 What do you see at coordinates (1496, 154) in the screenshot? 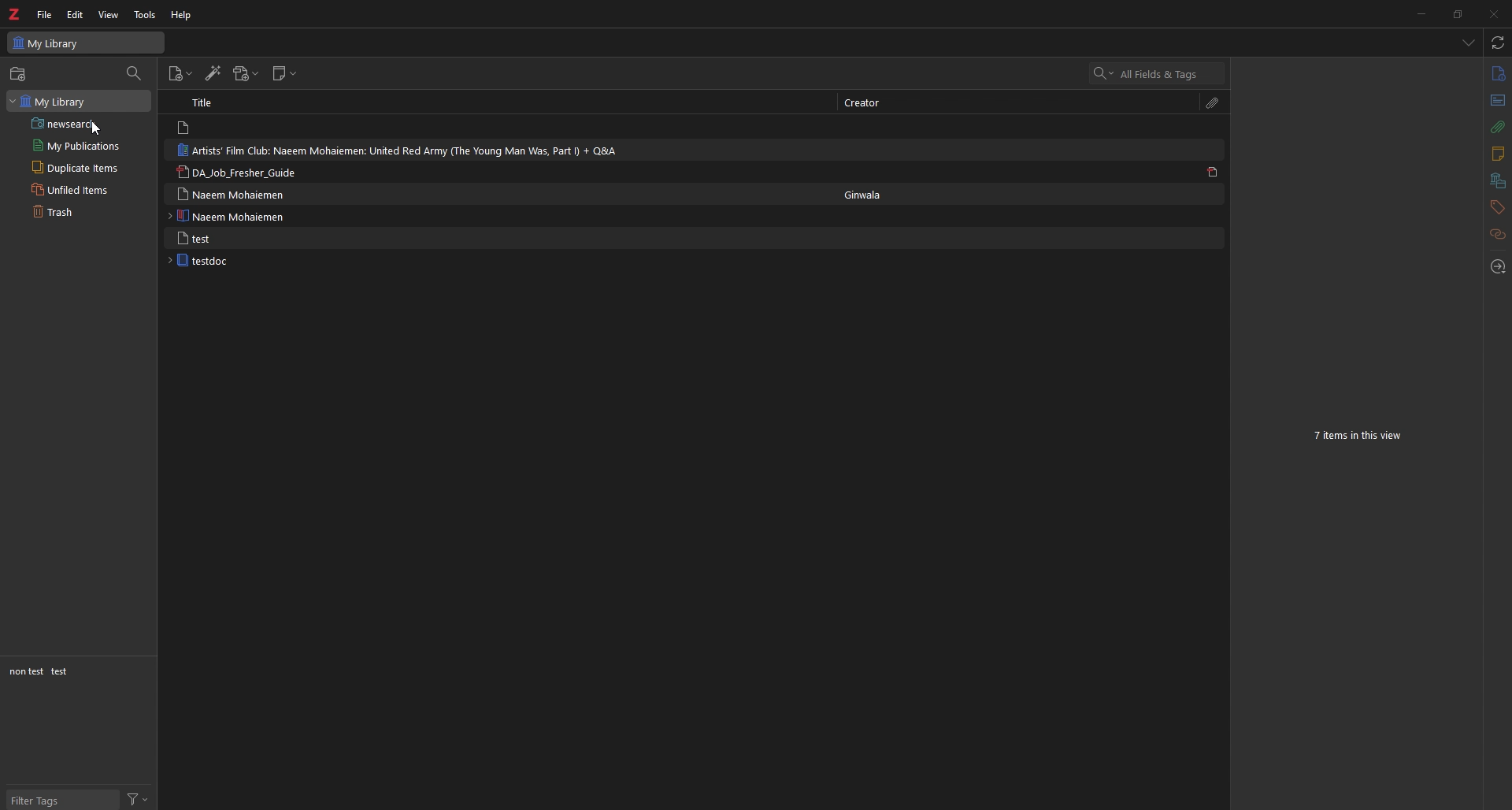
I see `notes` at bounding box center [1496, 154].